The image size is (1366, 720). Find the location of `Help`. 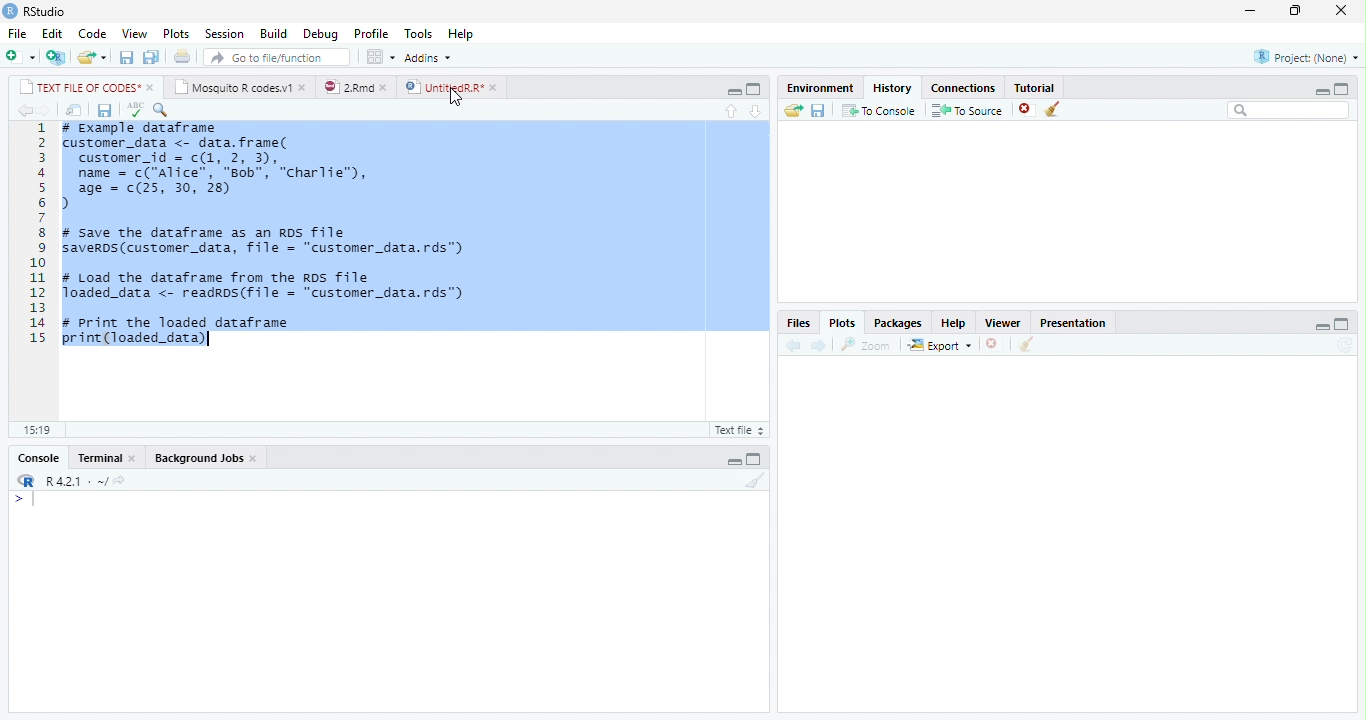

Help is located at coordinates (462, 34).